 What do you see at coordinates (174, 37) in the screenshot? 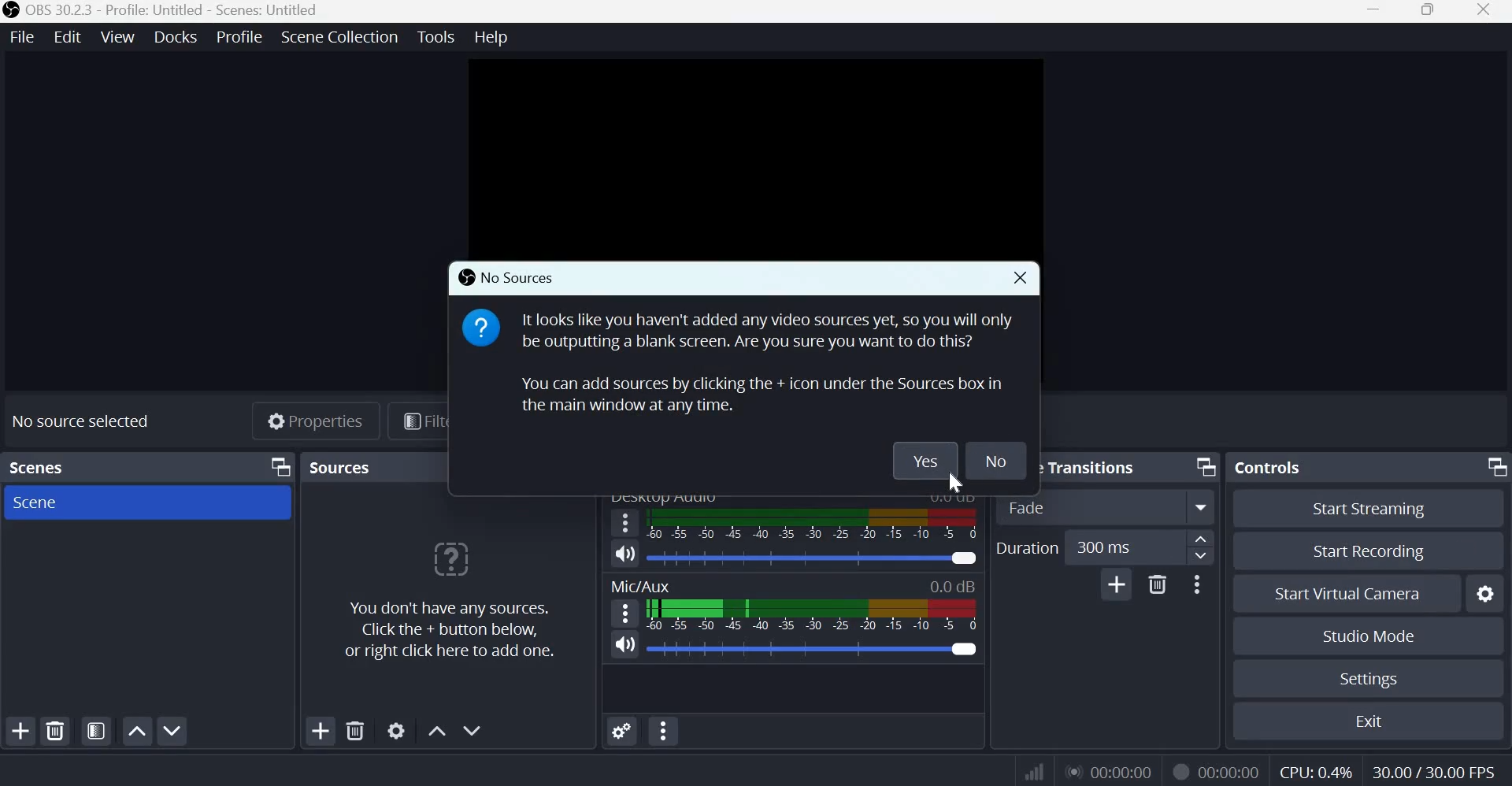
I see `Docks` at bounding box center [174, 37].